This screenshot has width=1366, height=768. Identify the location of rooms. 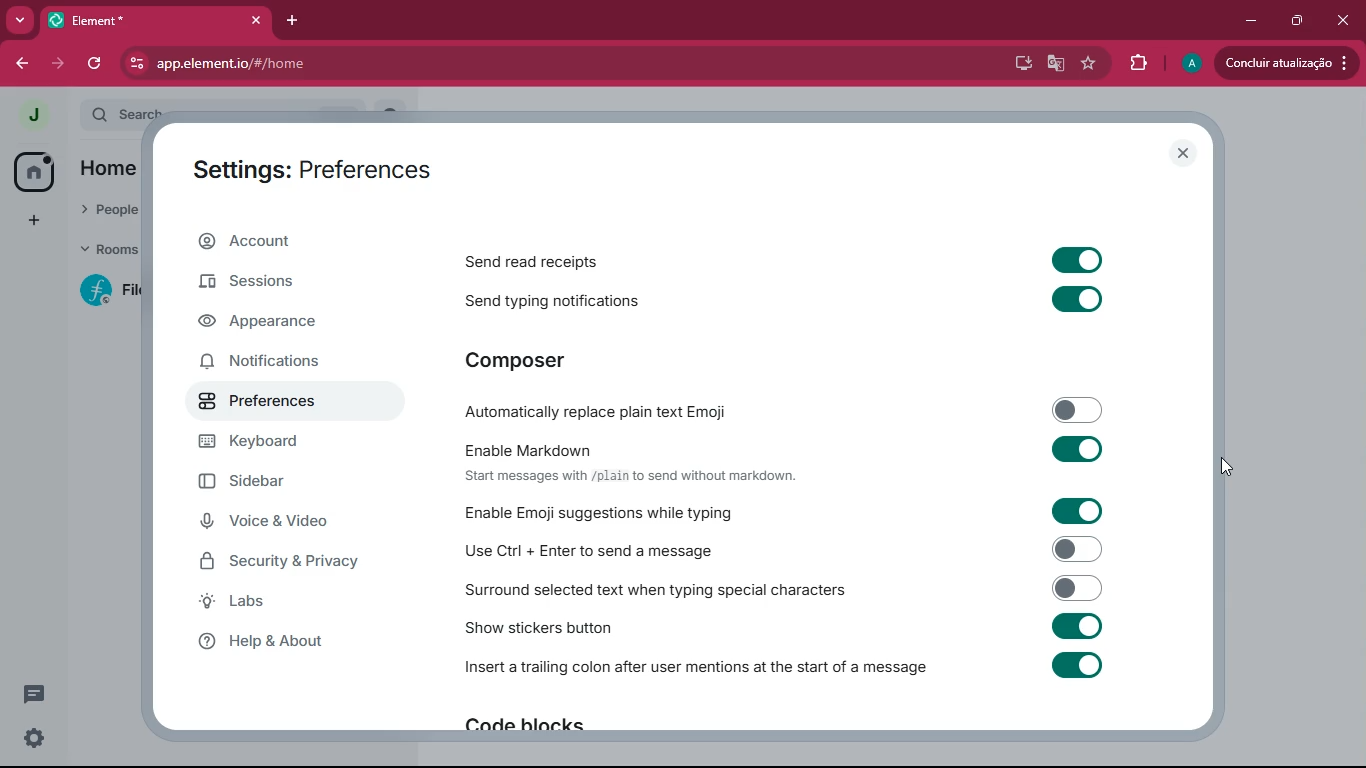
(111, 250).